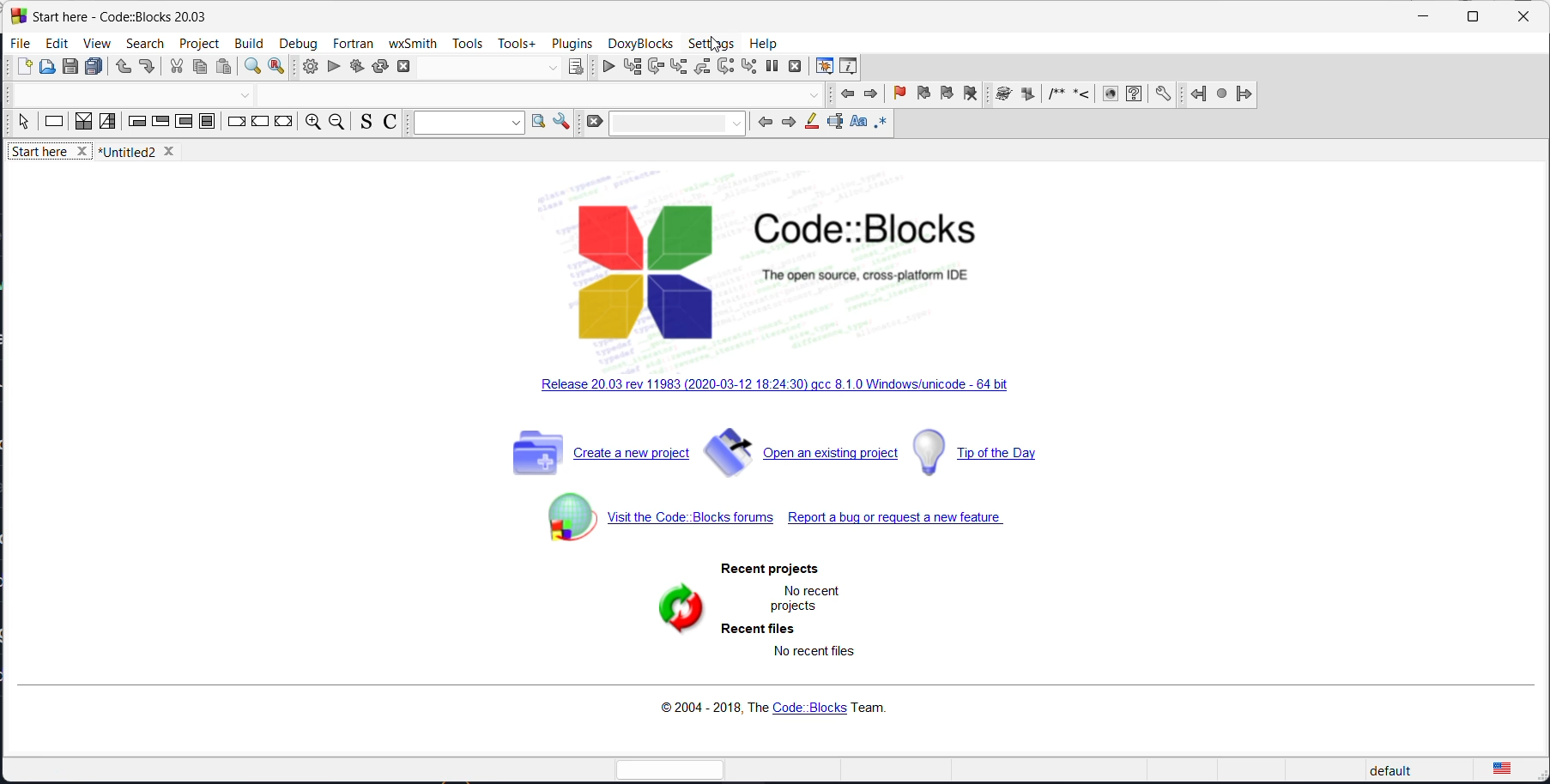 Image resolution: width=1550 pixels, height=784 pixels. I want to click on back, so click(763, 122).